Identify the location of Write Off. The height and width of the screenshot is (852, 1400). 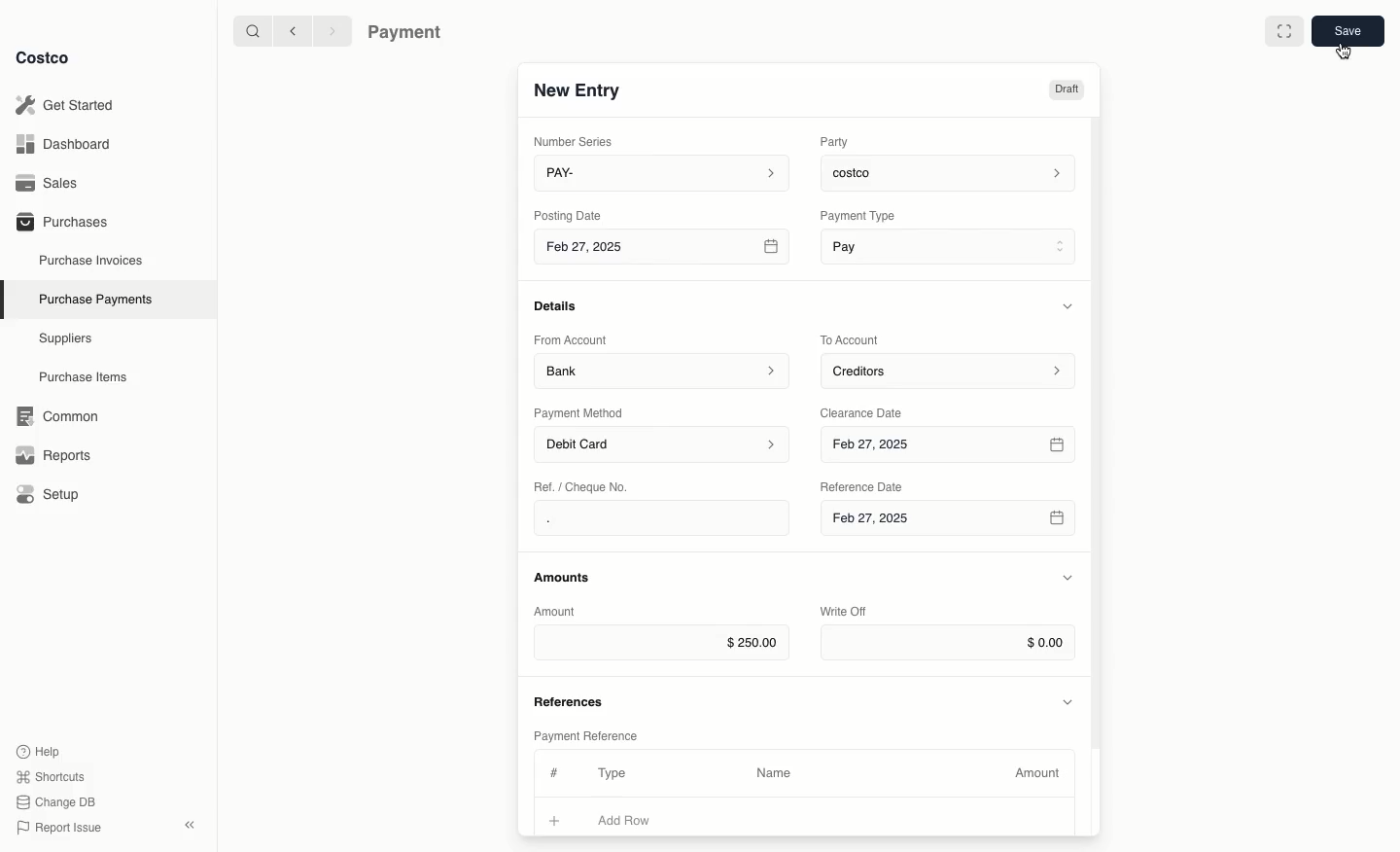
(844, 613).